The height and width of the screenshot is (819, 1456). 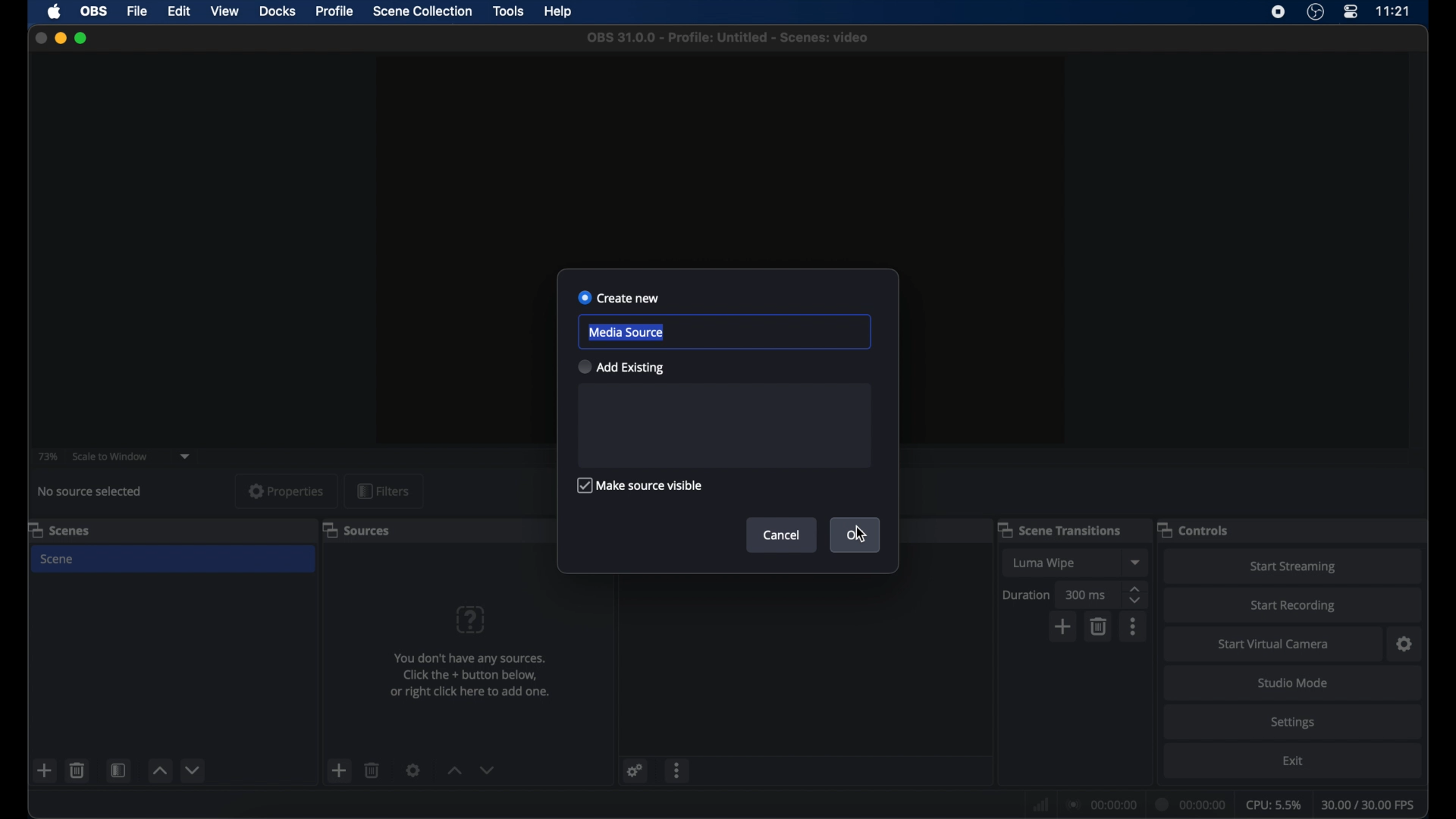 I want to click on luma wipe, so click(x=1043, y=563).